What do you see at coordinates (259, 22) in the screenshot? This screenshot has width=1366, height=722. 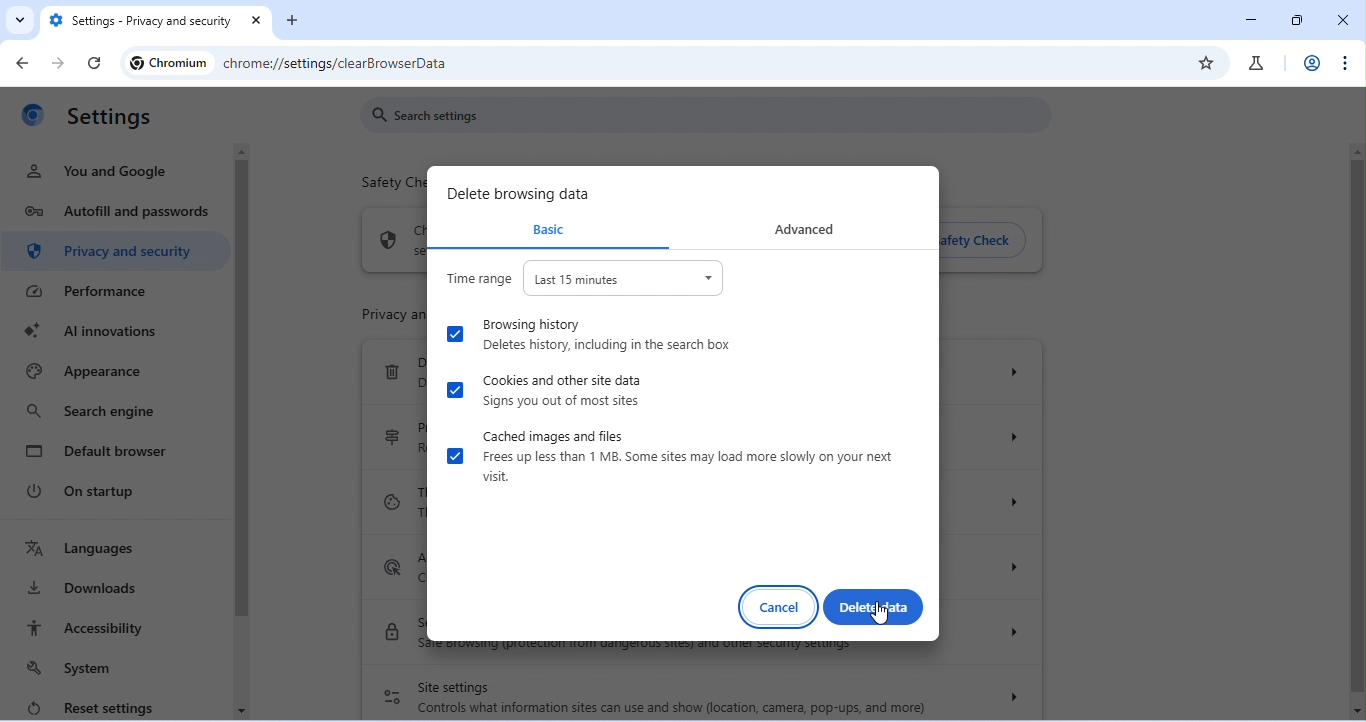 I see `close` at bounding box center [259, 22].